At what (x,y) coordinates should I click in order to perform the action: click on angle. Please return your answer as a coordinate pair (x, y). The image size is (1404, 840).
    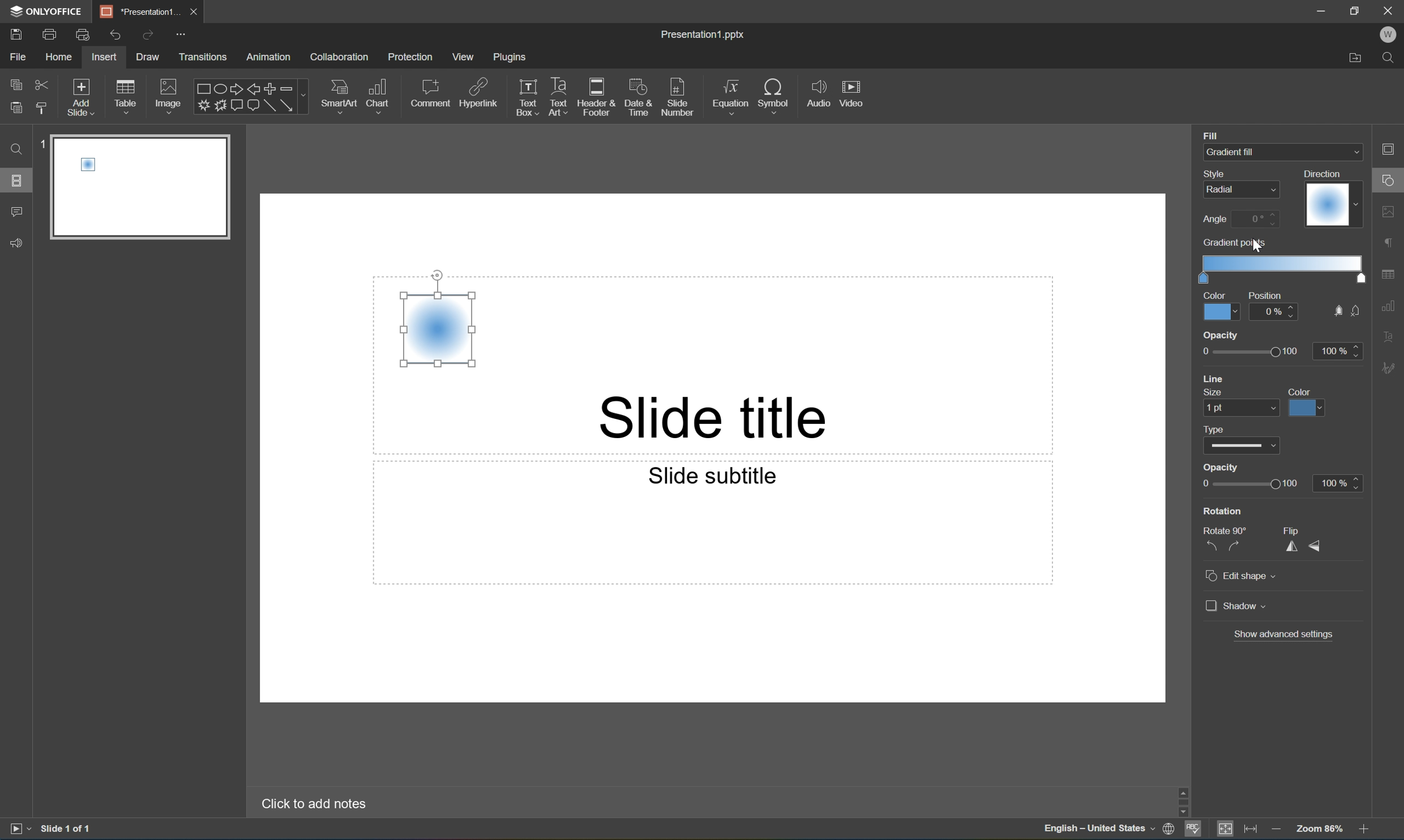
    Looking at the image, I should click on (1240, 219).